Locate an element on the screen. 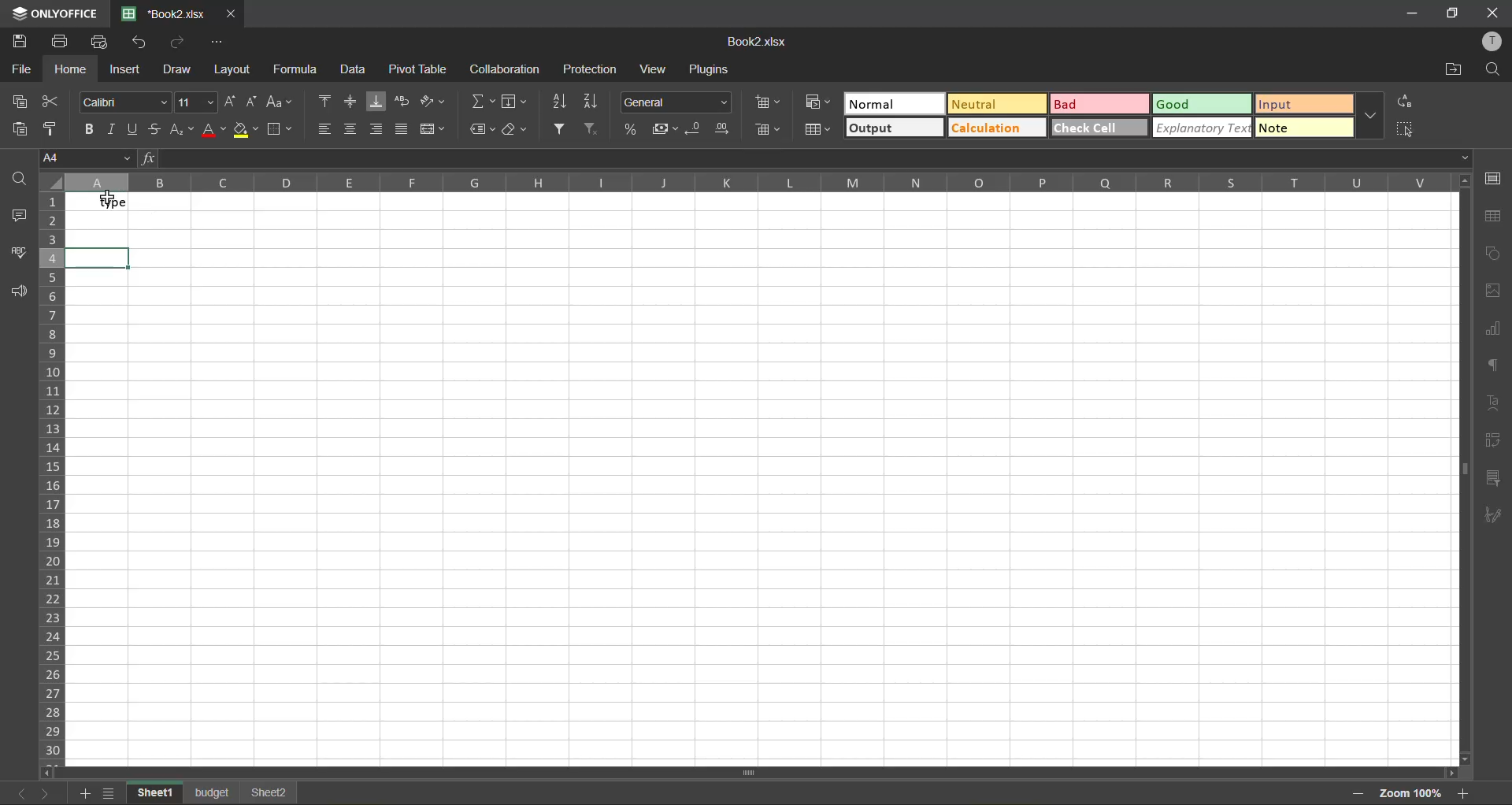 This screenshot has height=805, width=1512. font size is located at coordinates (197, 102).